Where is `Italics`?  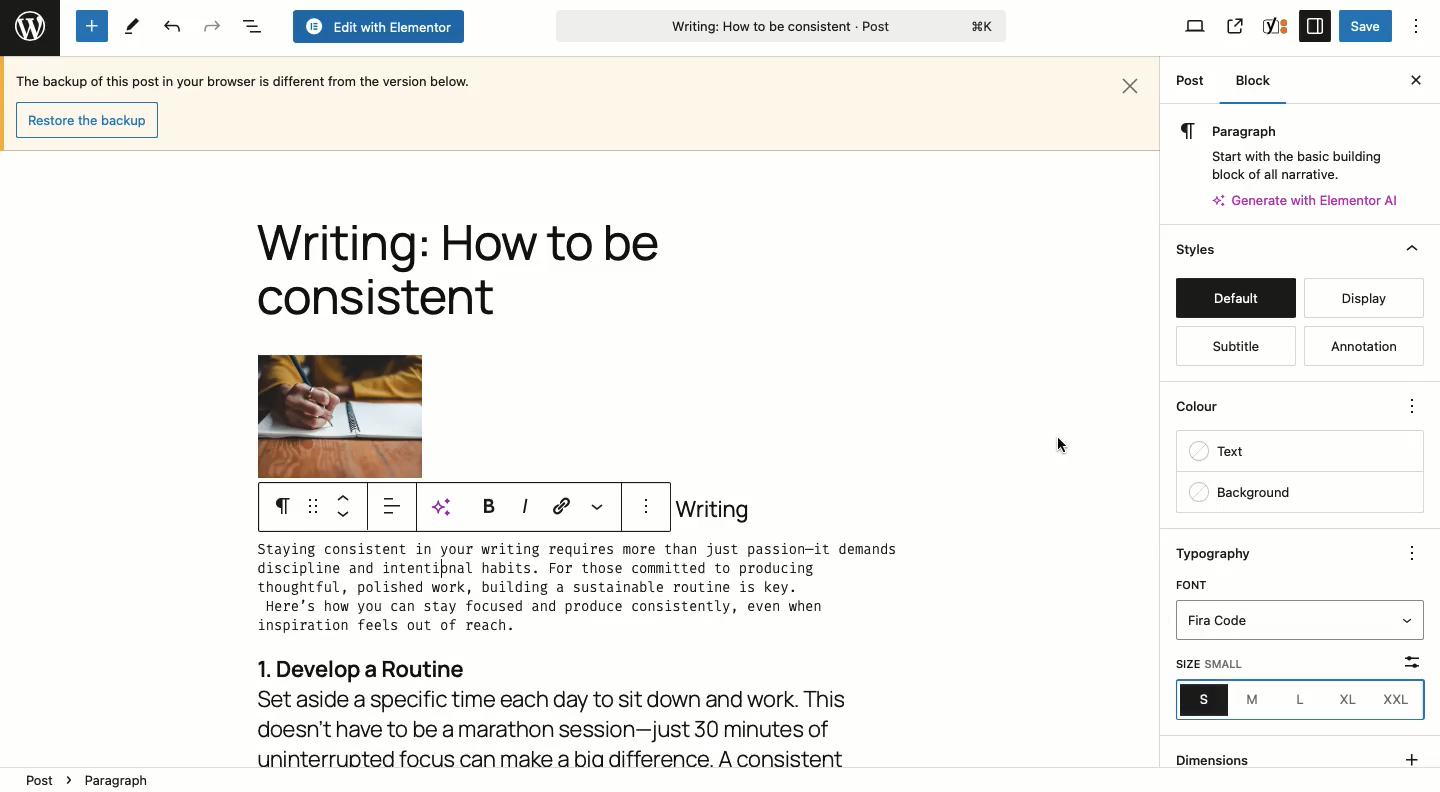 Italics is located at coordinates (524, 505).